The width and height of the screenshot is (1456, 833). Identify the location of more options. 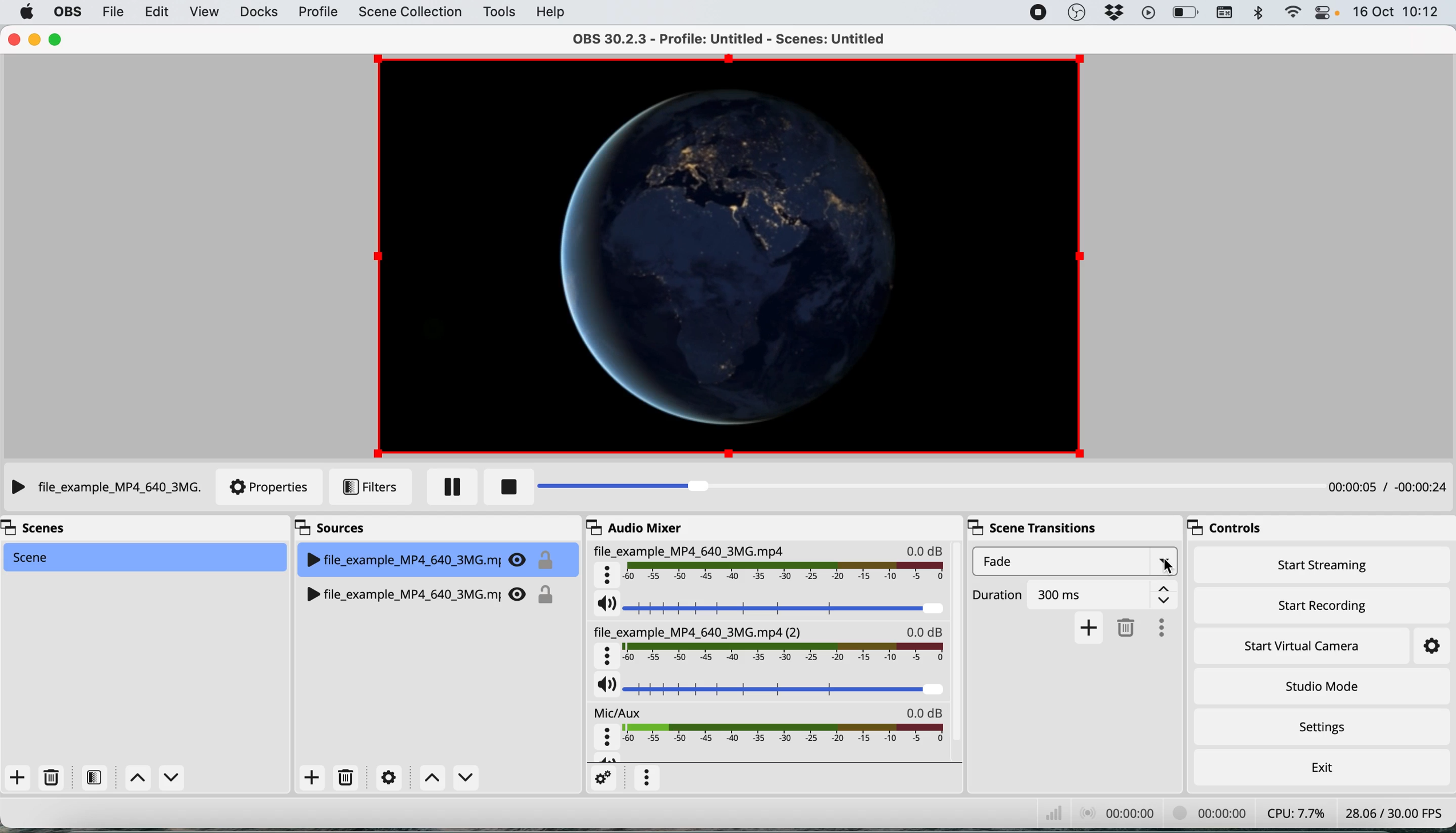
(644, 779).